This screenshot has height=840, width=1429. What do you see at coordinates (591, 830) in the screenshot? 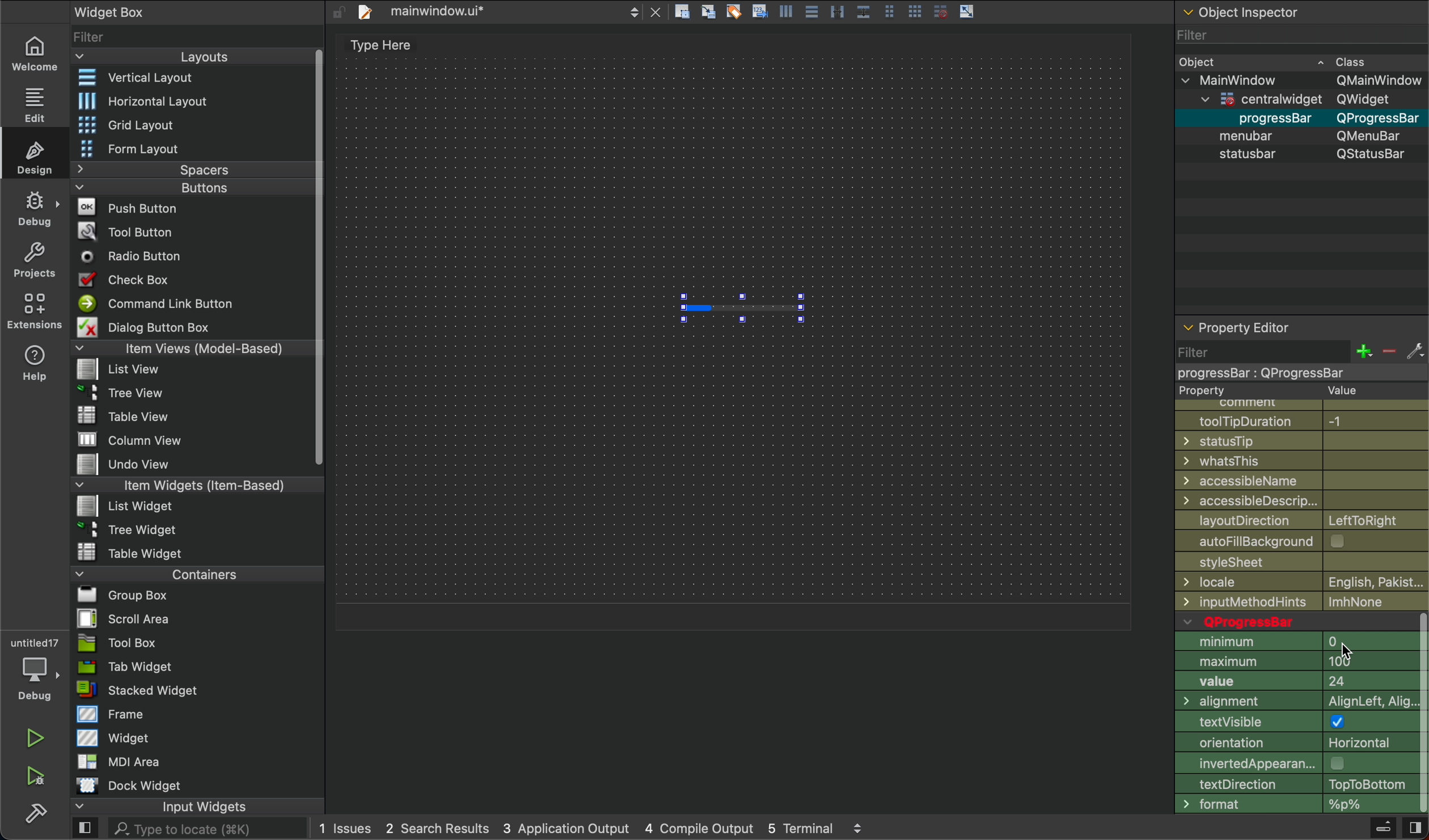
I see `logs` at bounding box center [591, 830].